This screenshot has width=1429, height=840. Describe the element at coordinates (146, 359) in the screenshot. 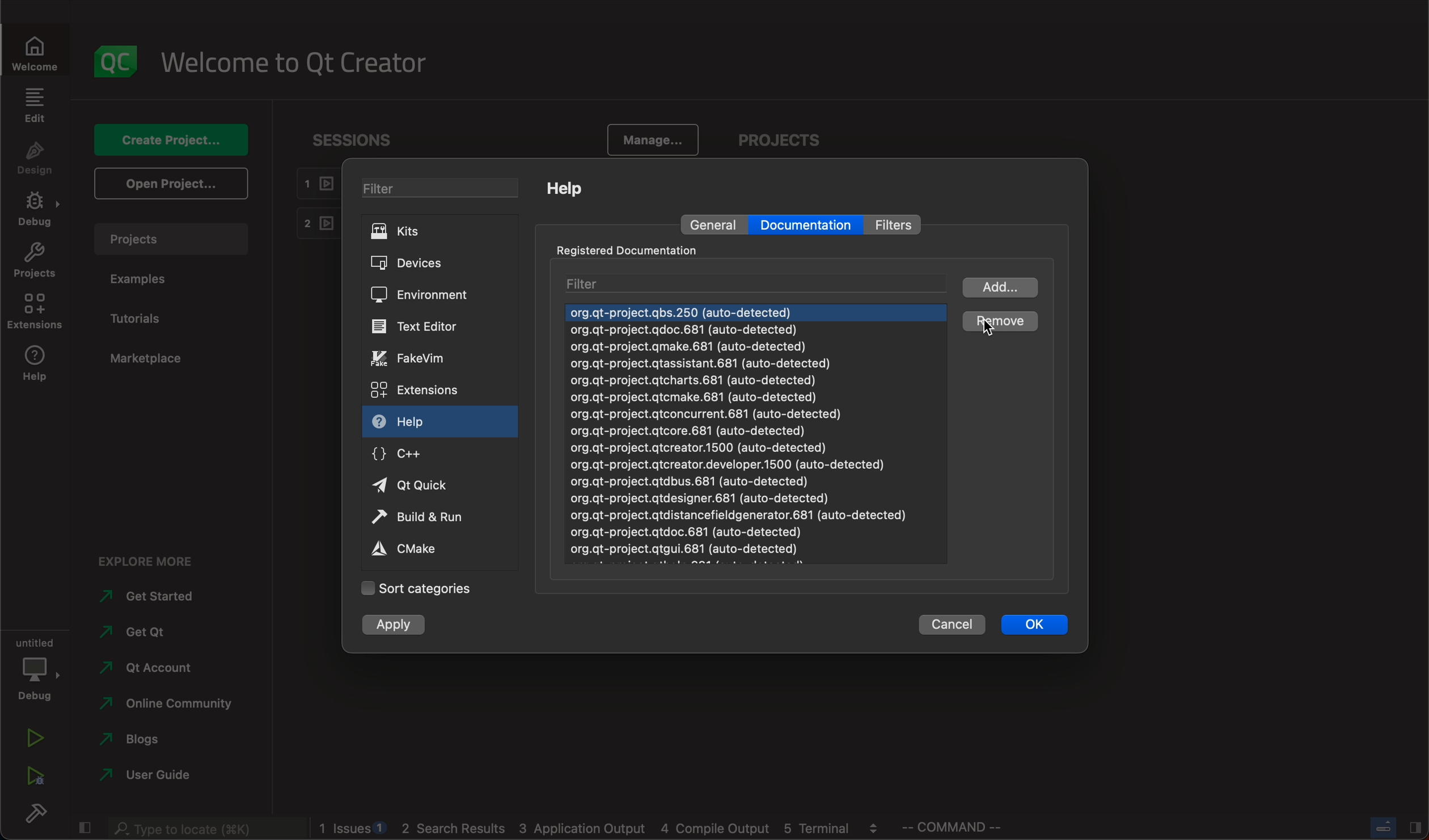

I see `marketplace` at that location.